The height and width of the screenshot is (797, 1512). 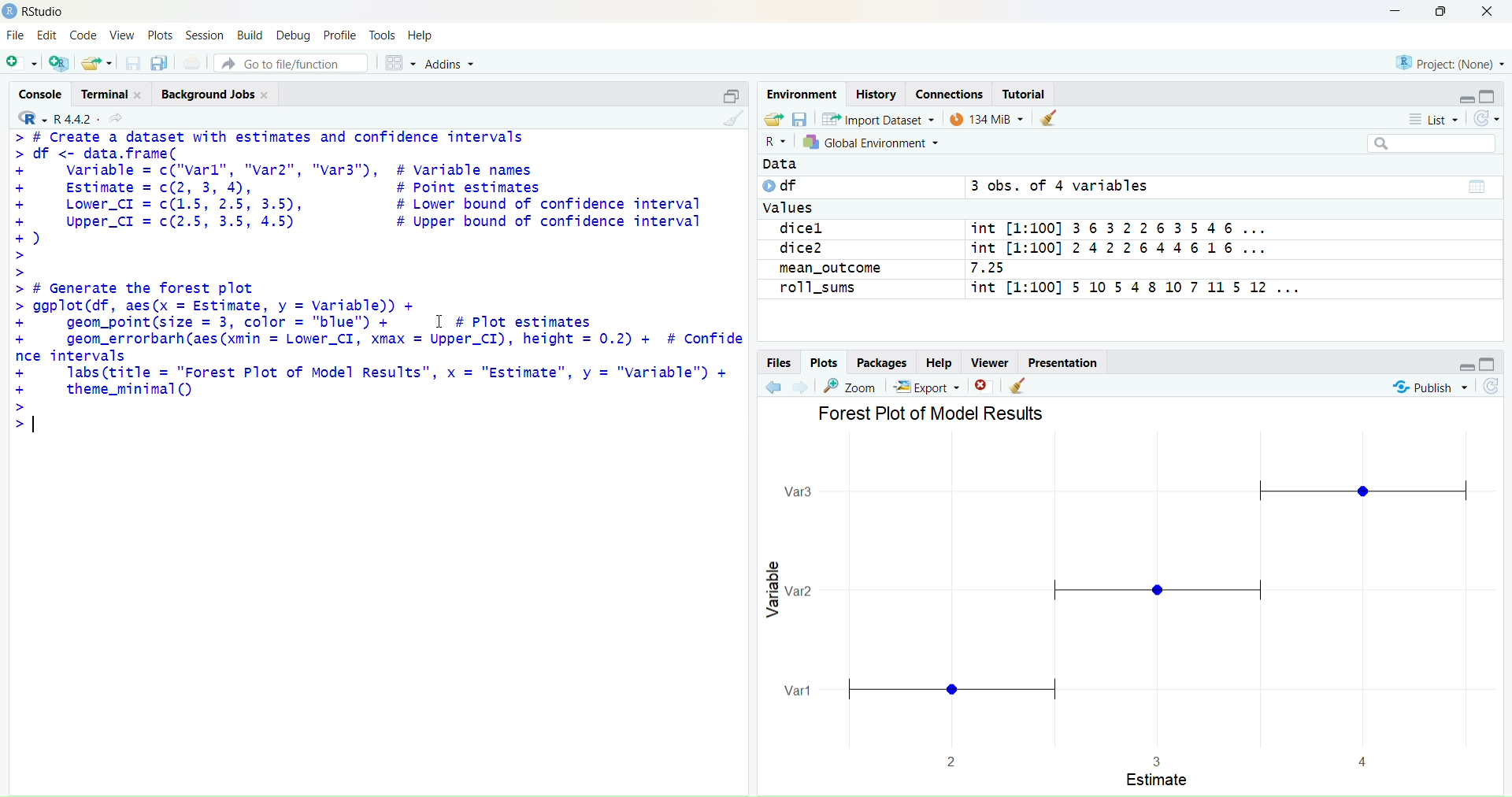 I want to click on Go to file/function, so click(x=290, y=64).